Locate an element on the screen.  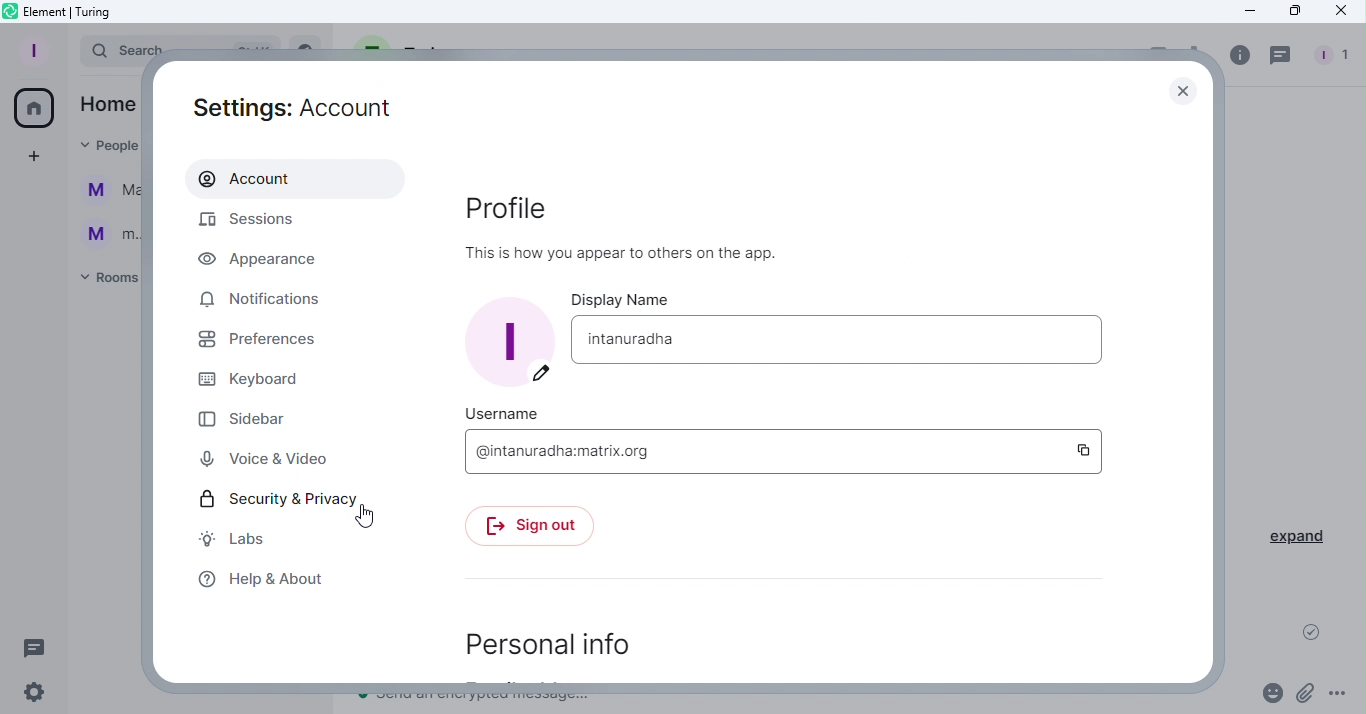
Help and about is located at coordinates (265, 582).